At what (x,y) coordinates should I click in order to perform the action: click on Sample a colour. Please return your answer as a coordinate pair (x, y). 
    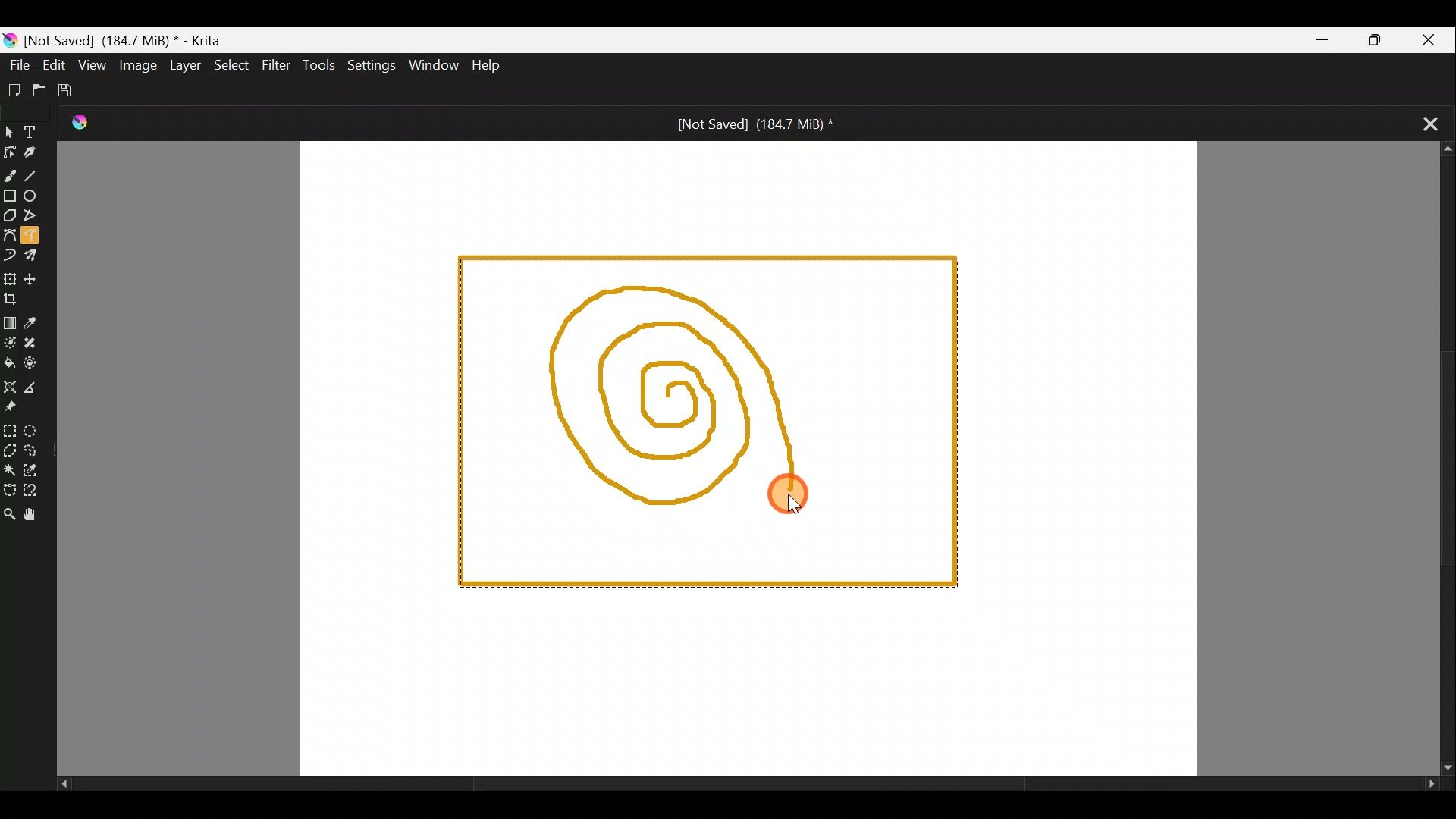
    Looking at the image, I should click on (33, 323).